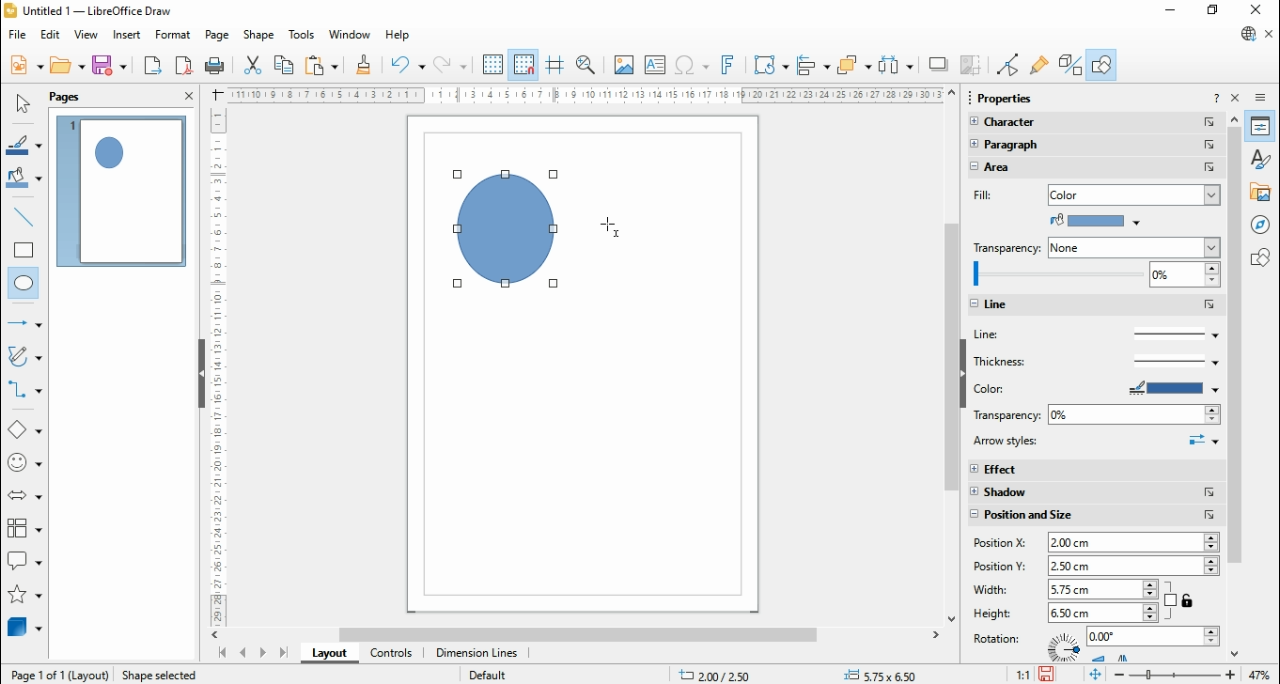 The image size is (1280, 684). Describe the element at coordinates (1263, 256) in the screenshot. I see `shapes` at that location.